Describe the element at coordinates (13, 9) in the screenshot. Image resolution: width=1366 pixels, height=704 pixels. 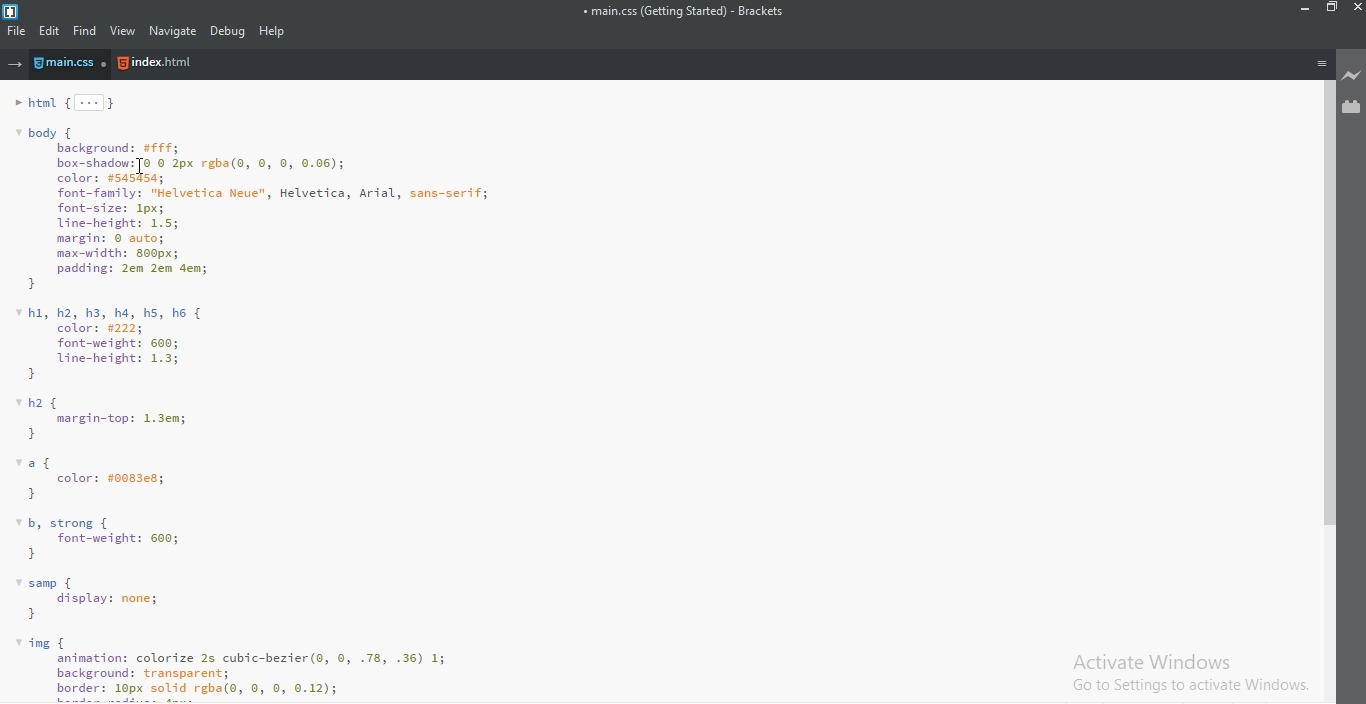
I see `logo` at that location.